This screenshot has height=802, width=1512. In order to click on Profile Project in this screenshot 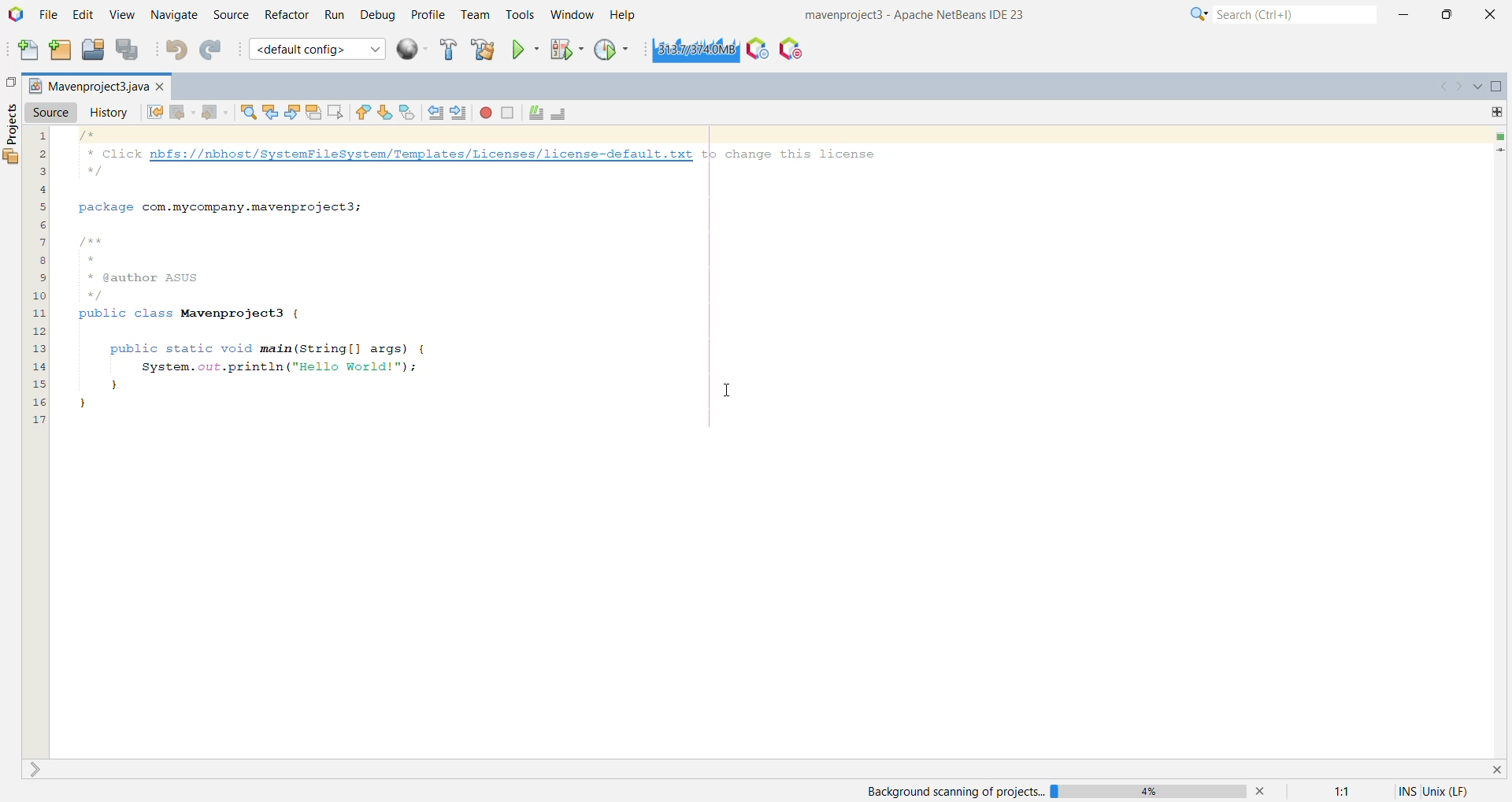, I will do `click(613, 50)`.